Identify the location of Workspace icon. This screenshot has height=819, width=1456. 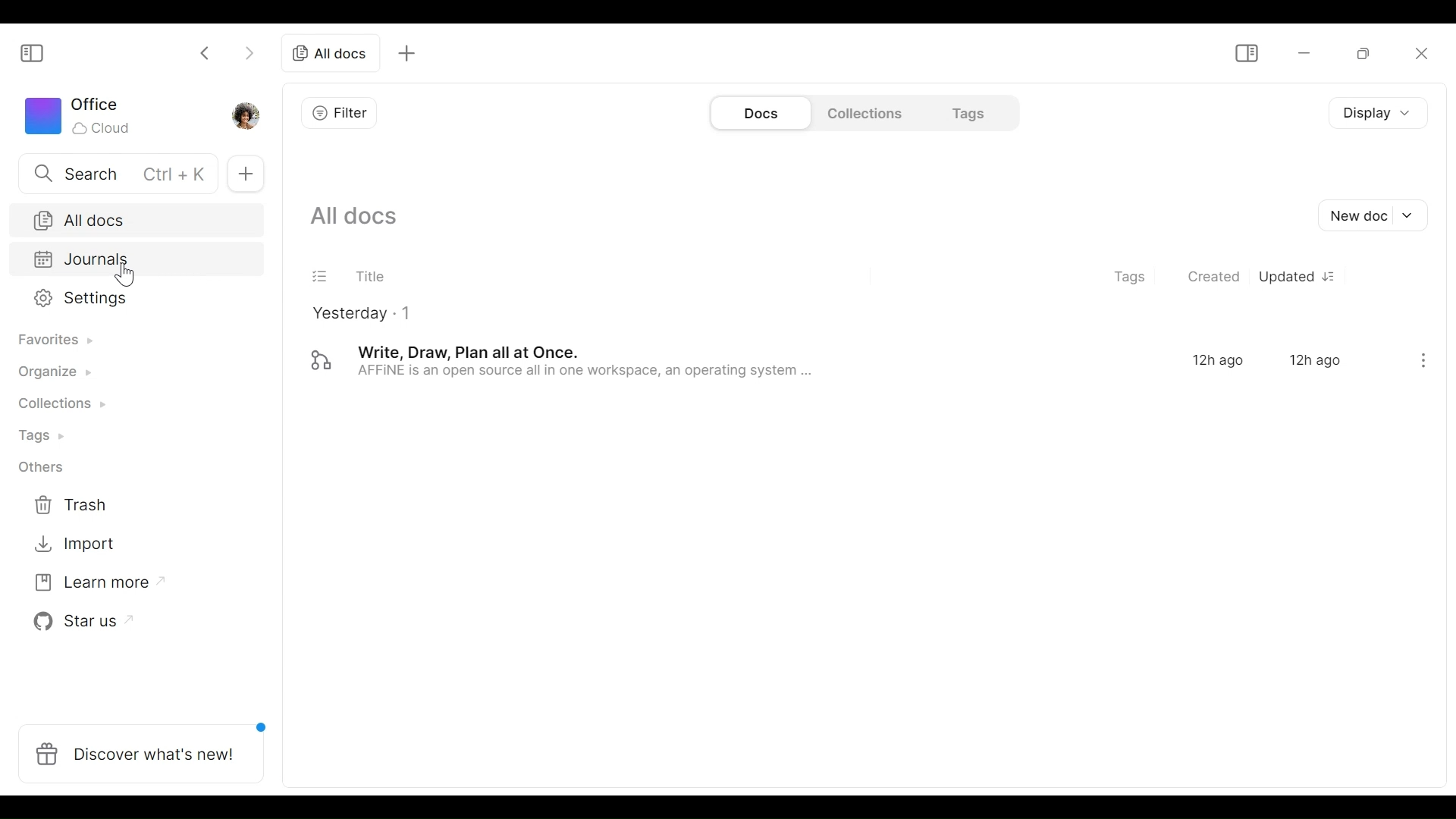
(80, 114).